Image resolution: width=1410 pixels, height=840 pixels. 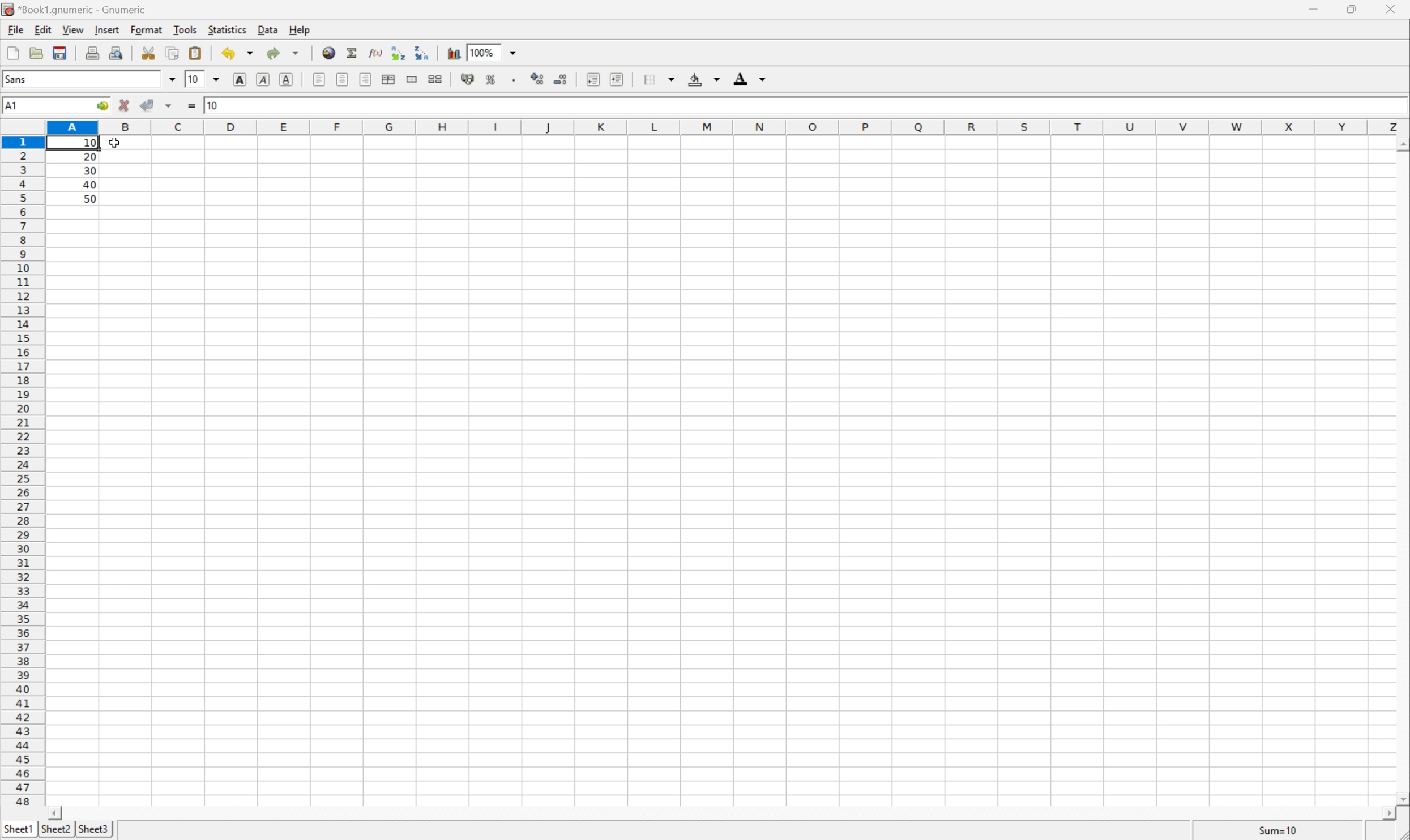 I want to click on Copy selection, so click(x=174, y=54).